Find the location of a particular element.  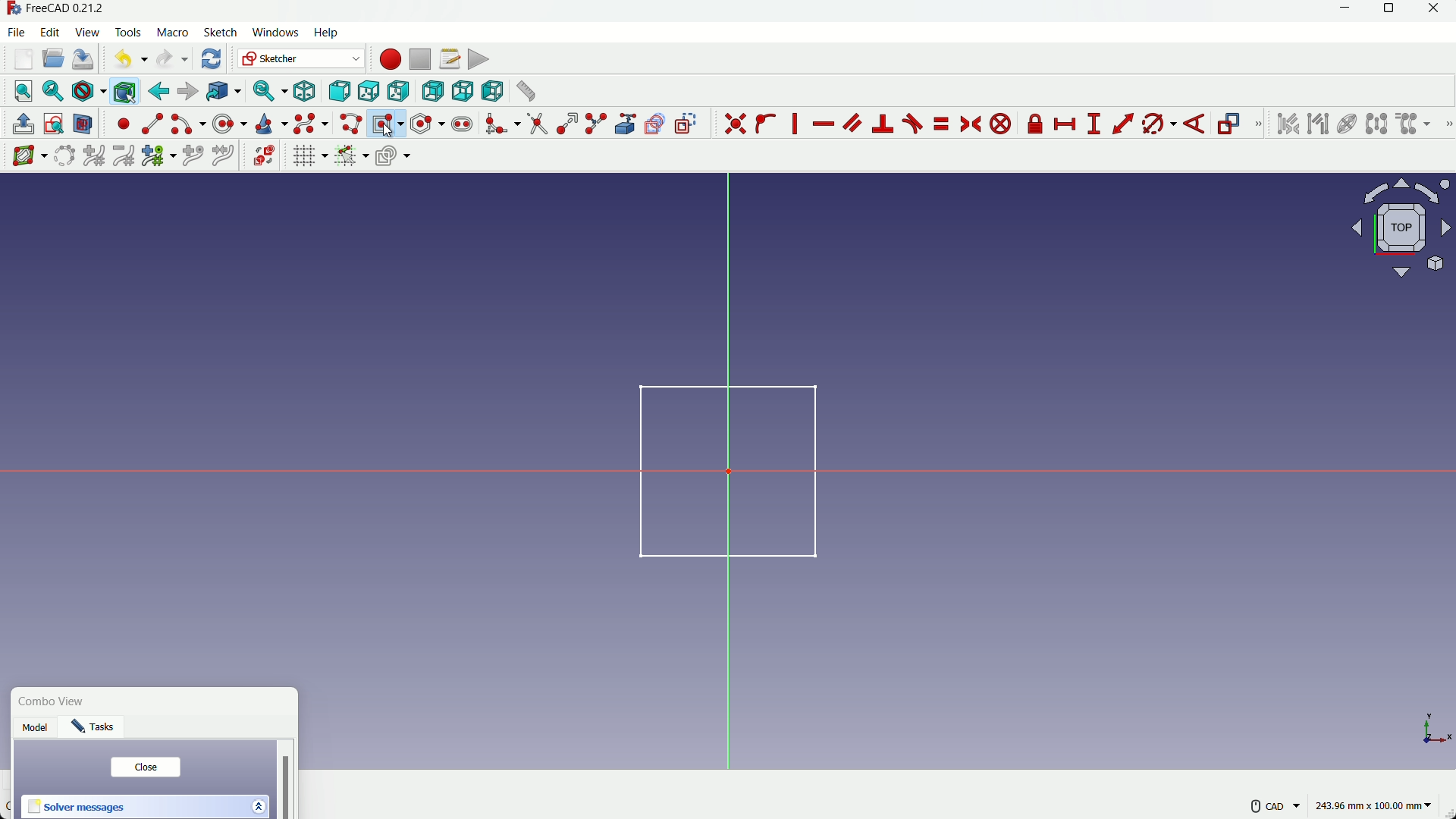

right view is located at coordinates (400, 92).